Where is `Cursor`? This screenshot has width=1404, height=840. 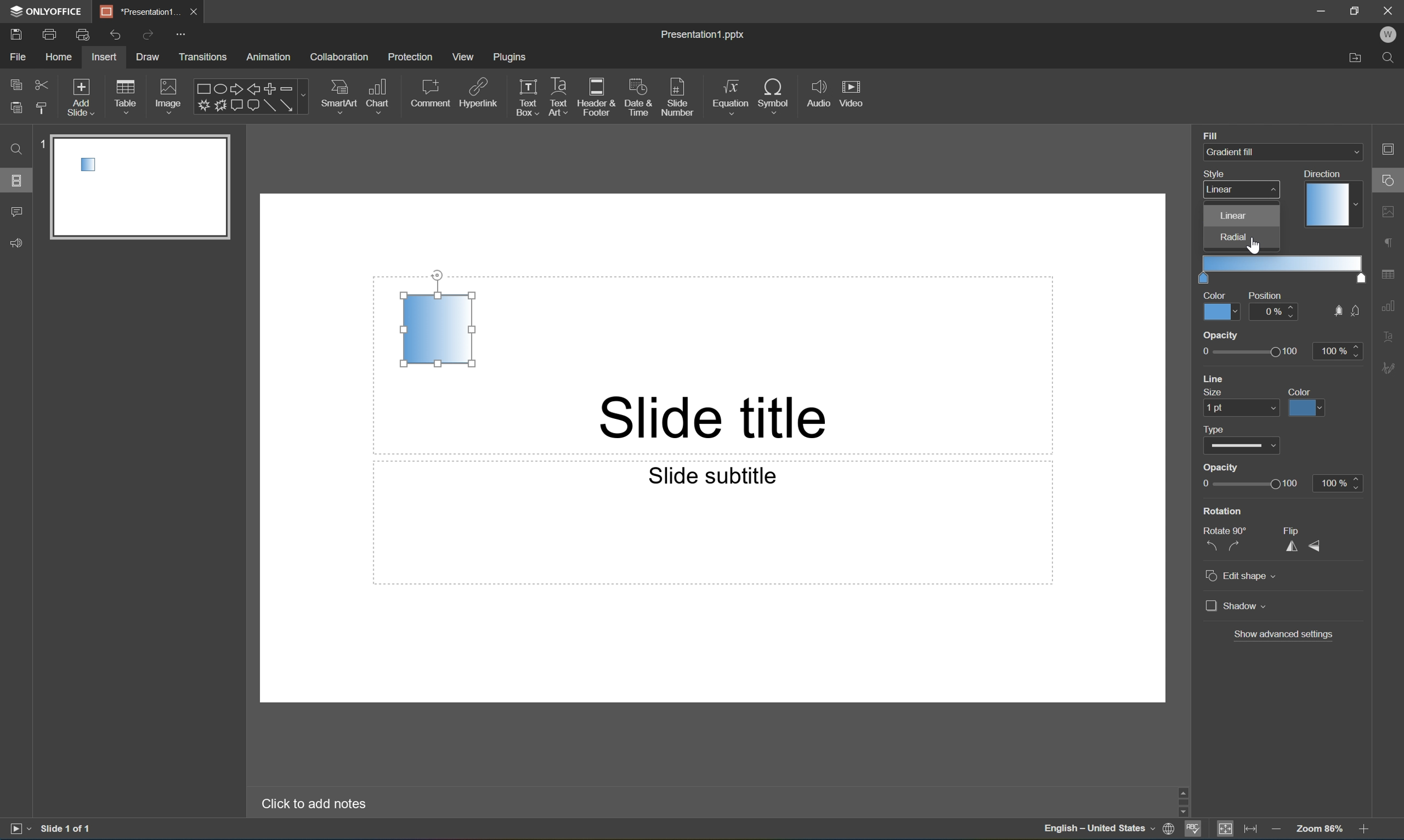
Cursor is located at coordinates (1253, 247).